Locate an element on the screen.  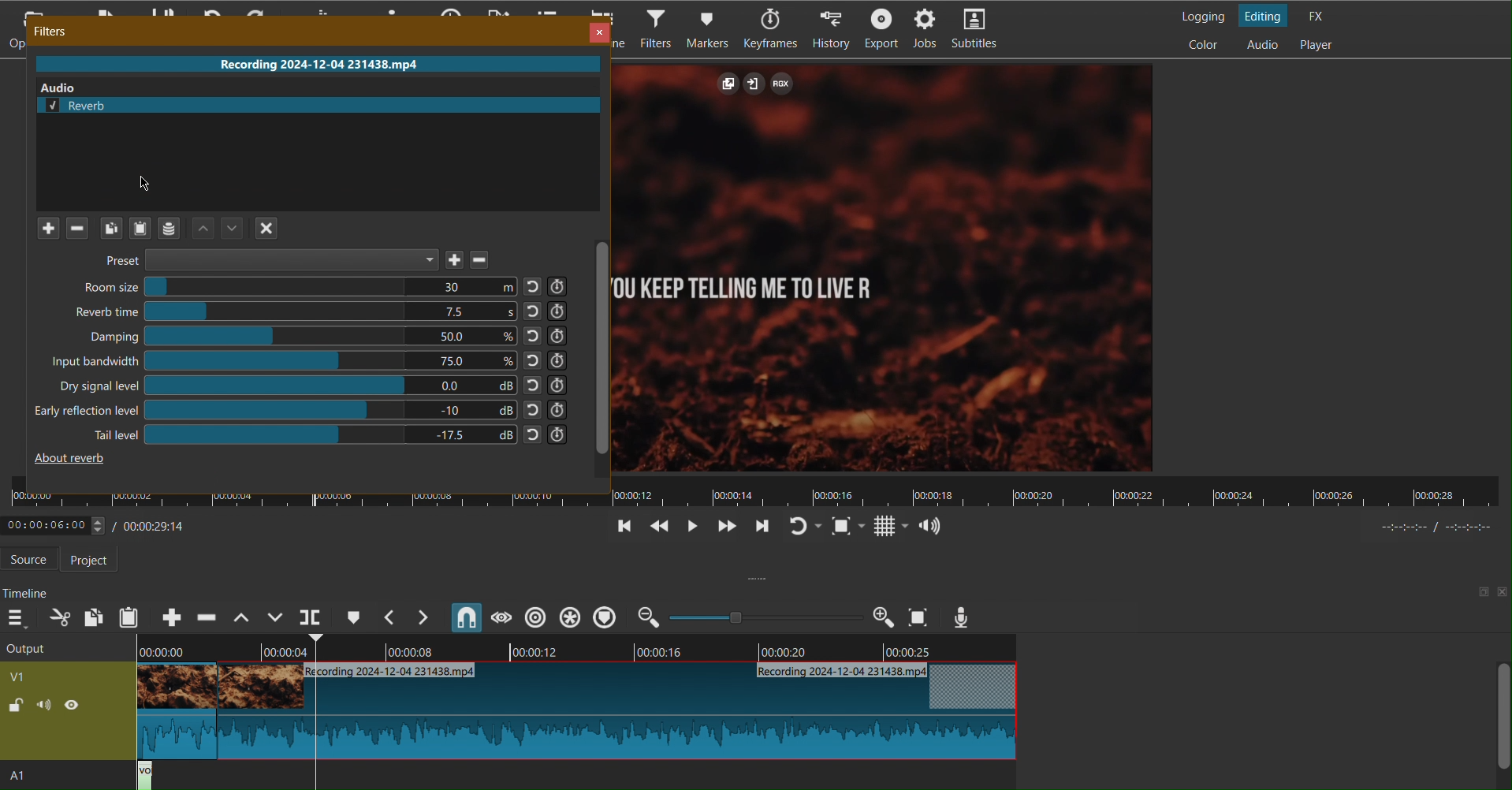
Jobs is located at coordinates (929, 30).